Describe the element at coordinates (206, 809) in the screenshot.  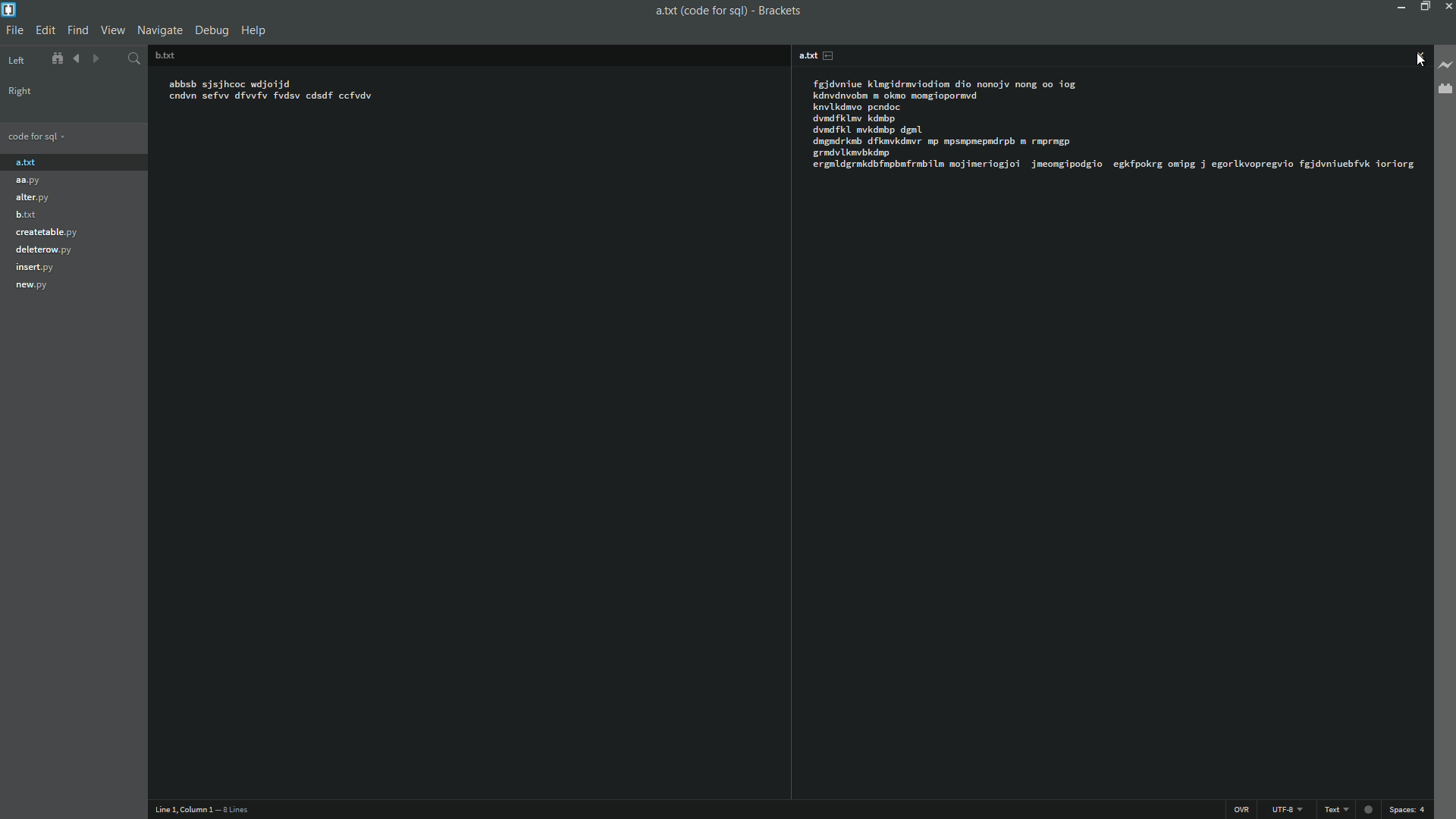
I see `Line 1, column 1- 8lines` at that location.